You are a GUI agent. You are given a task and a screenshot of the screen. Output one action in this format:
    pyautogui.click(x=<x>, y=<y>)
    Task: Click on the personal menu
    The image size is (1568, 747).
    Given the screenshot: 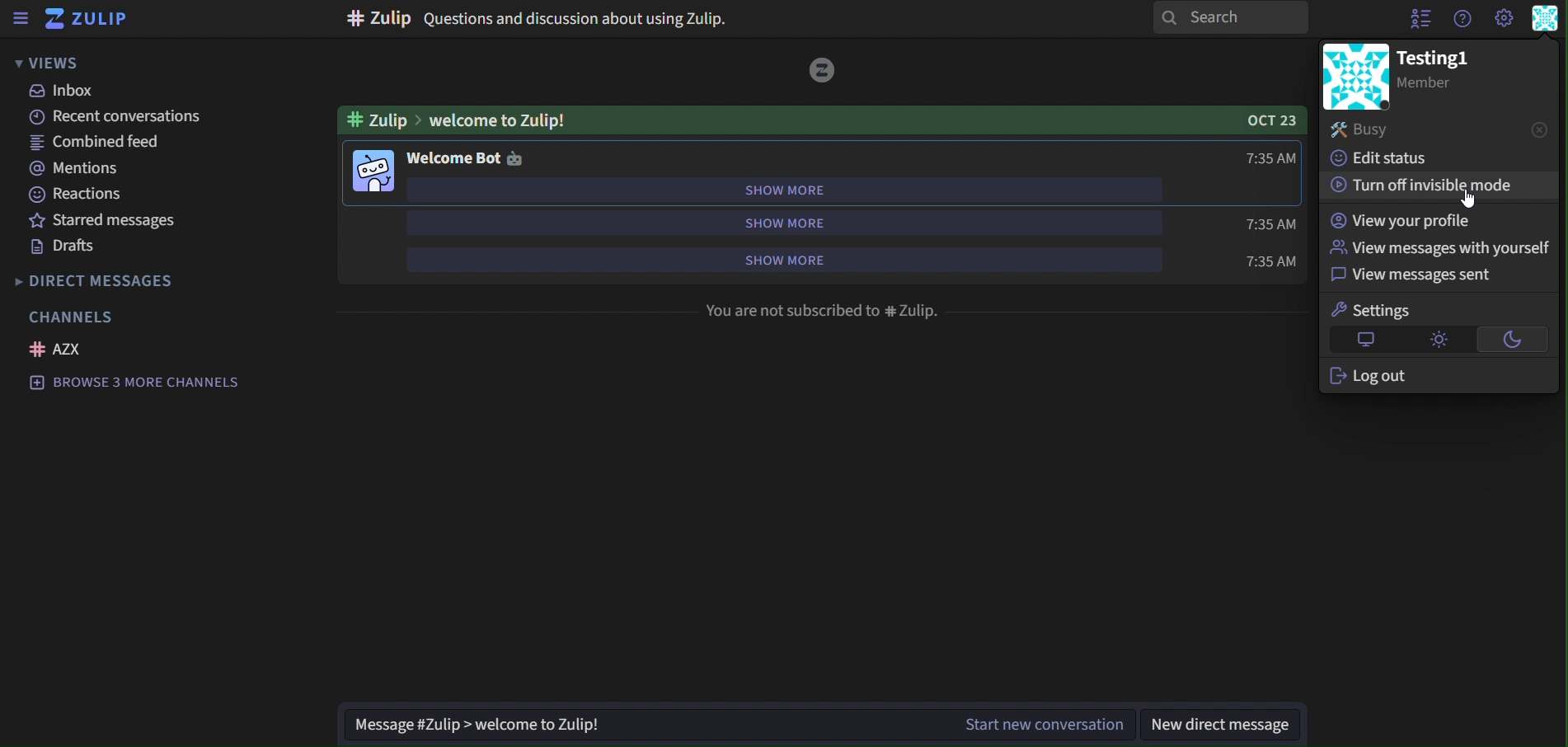 What is the action you would take?
    pyautogui.click(x=1543, y=21)
    